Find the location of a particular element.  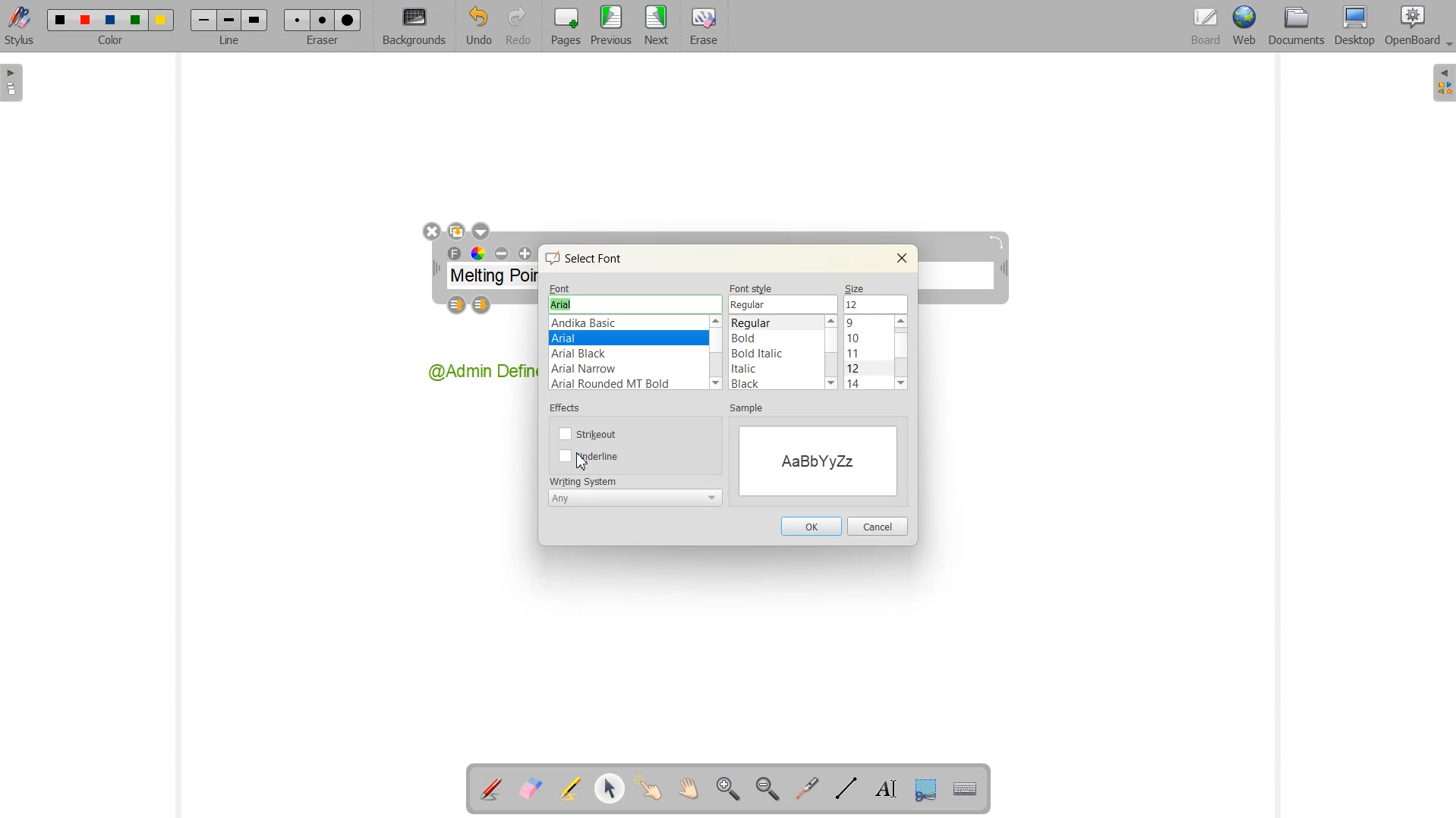

font style is located at coordinates (753, 288).